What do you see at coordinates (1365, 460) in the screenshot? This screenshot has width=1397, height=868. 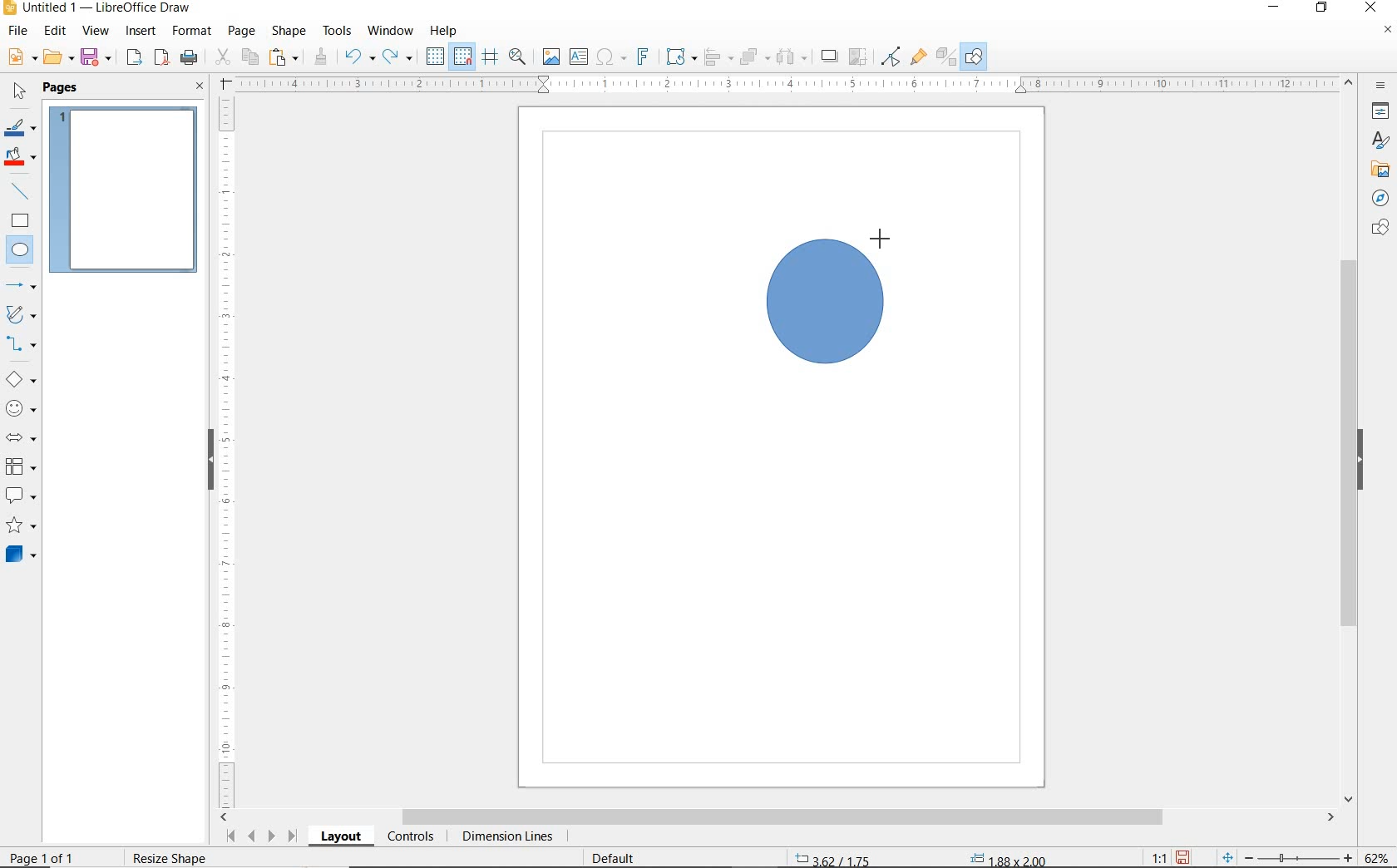 I see `HIDE` at bounding box center [1365, 460].